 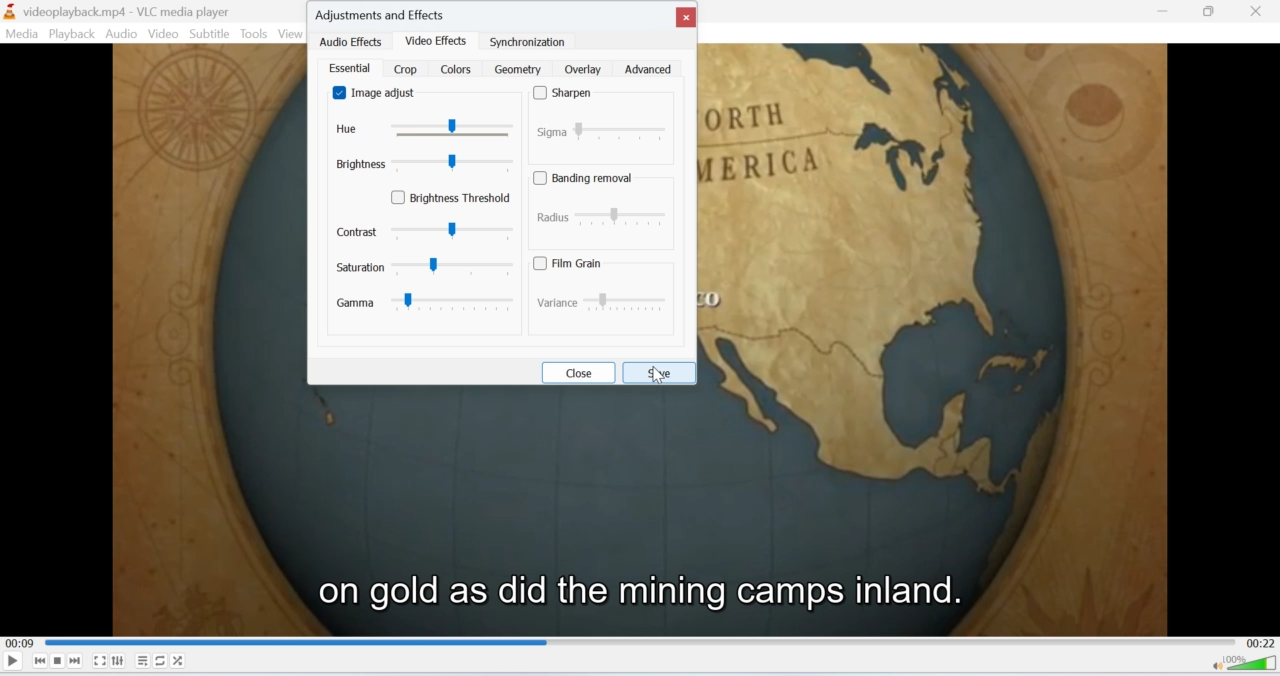 What do you see at coordinates (292, 35) in the screenshot?
I see `View` at bounding box center [292, 35].